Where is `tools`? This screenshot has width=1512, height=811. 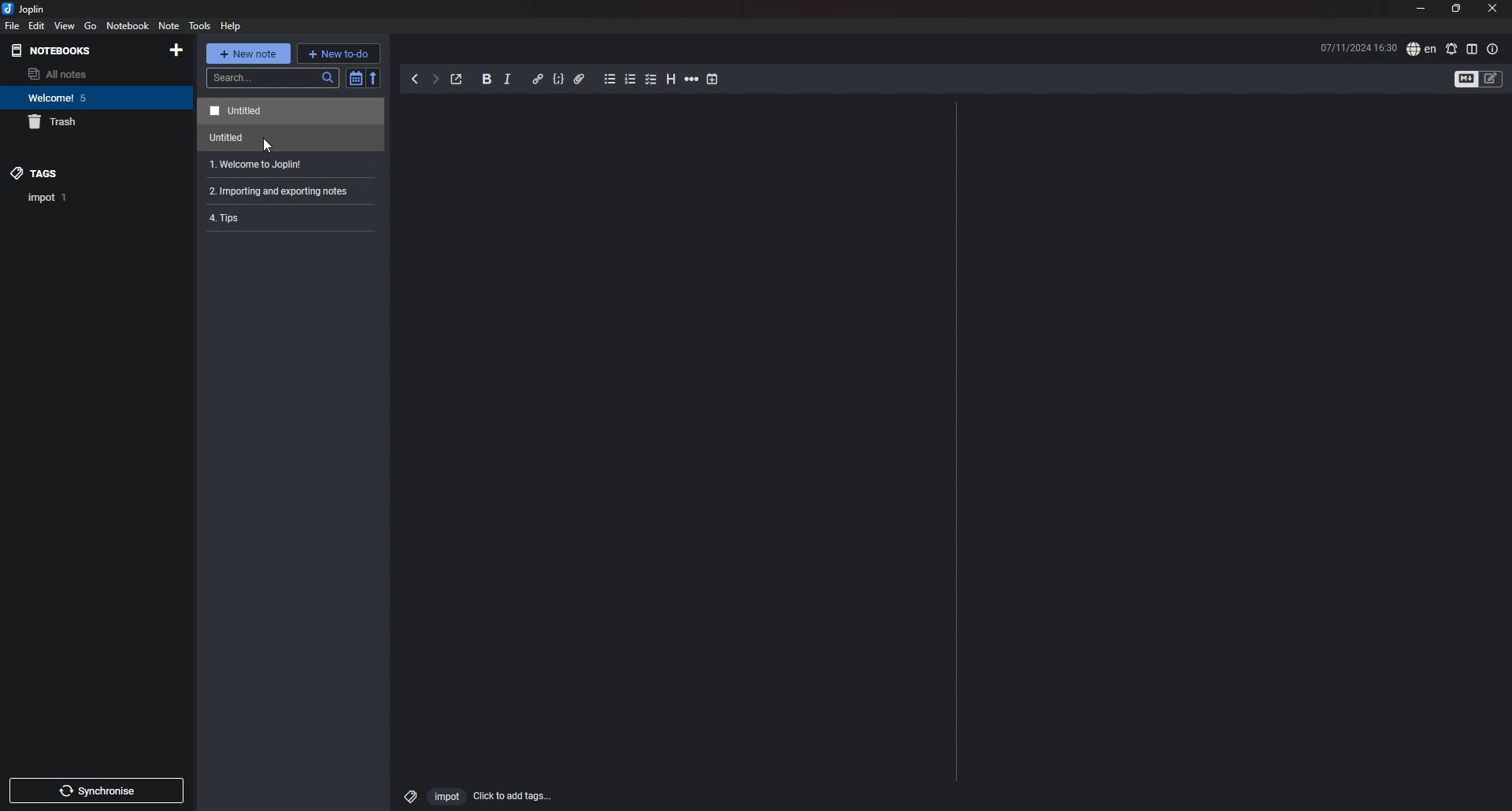
tools is located at coordinates (198, 26).